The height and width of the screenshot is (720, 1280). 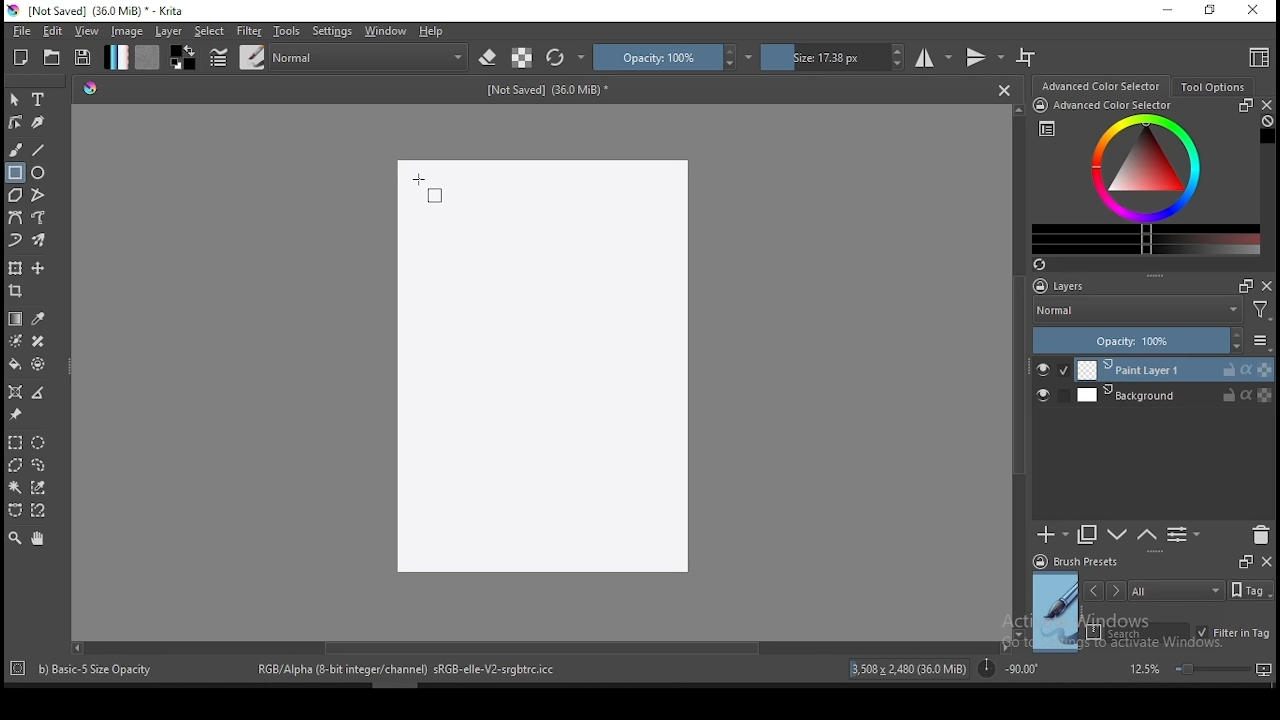 What do you see at coordinates (17, 341) in the screenshot?
I see `colorize mask tool` at bounding box center [17, 341].